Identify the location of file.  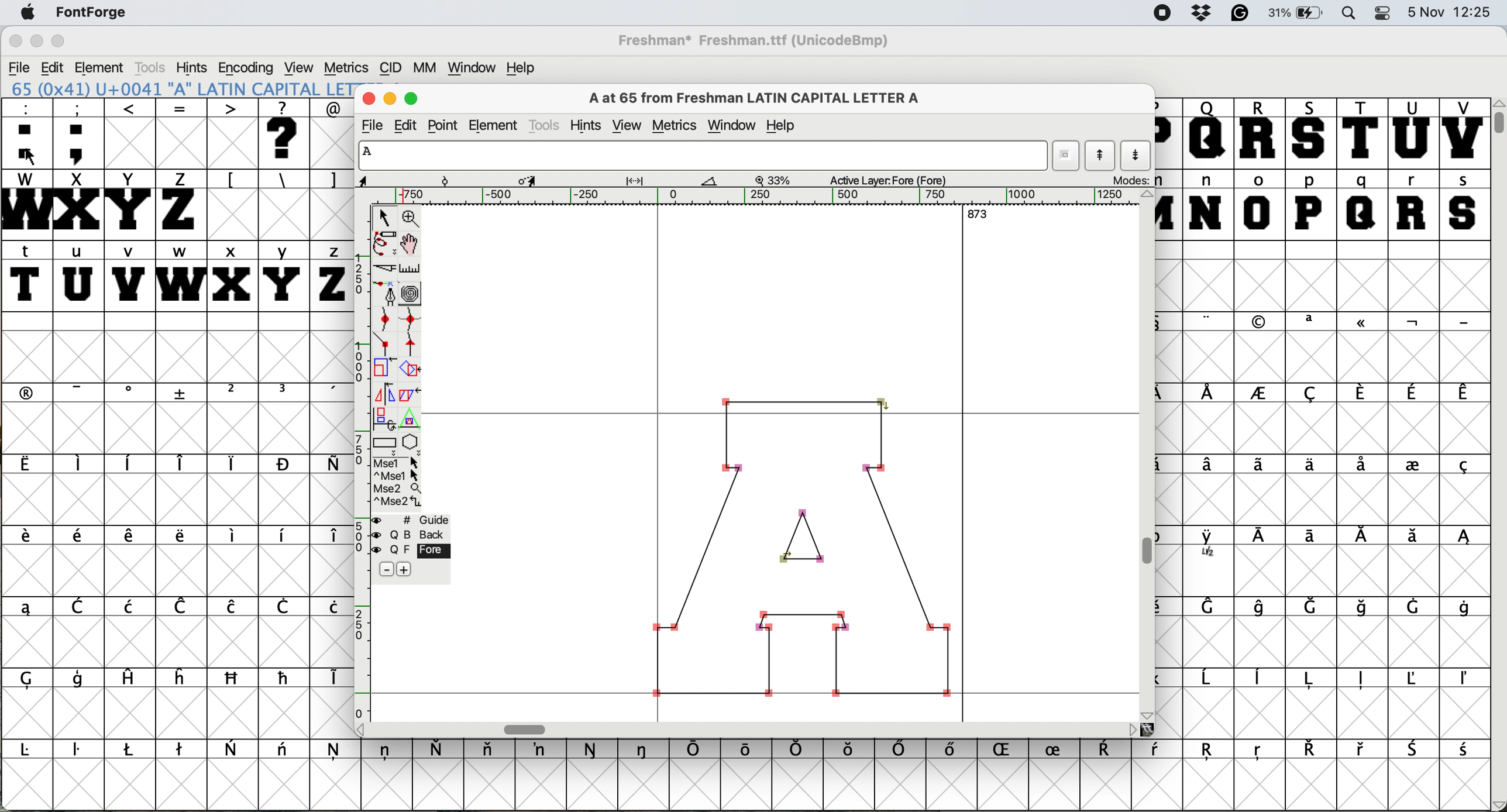
(18, 66).